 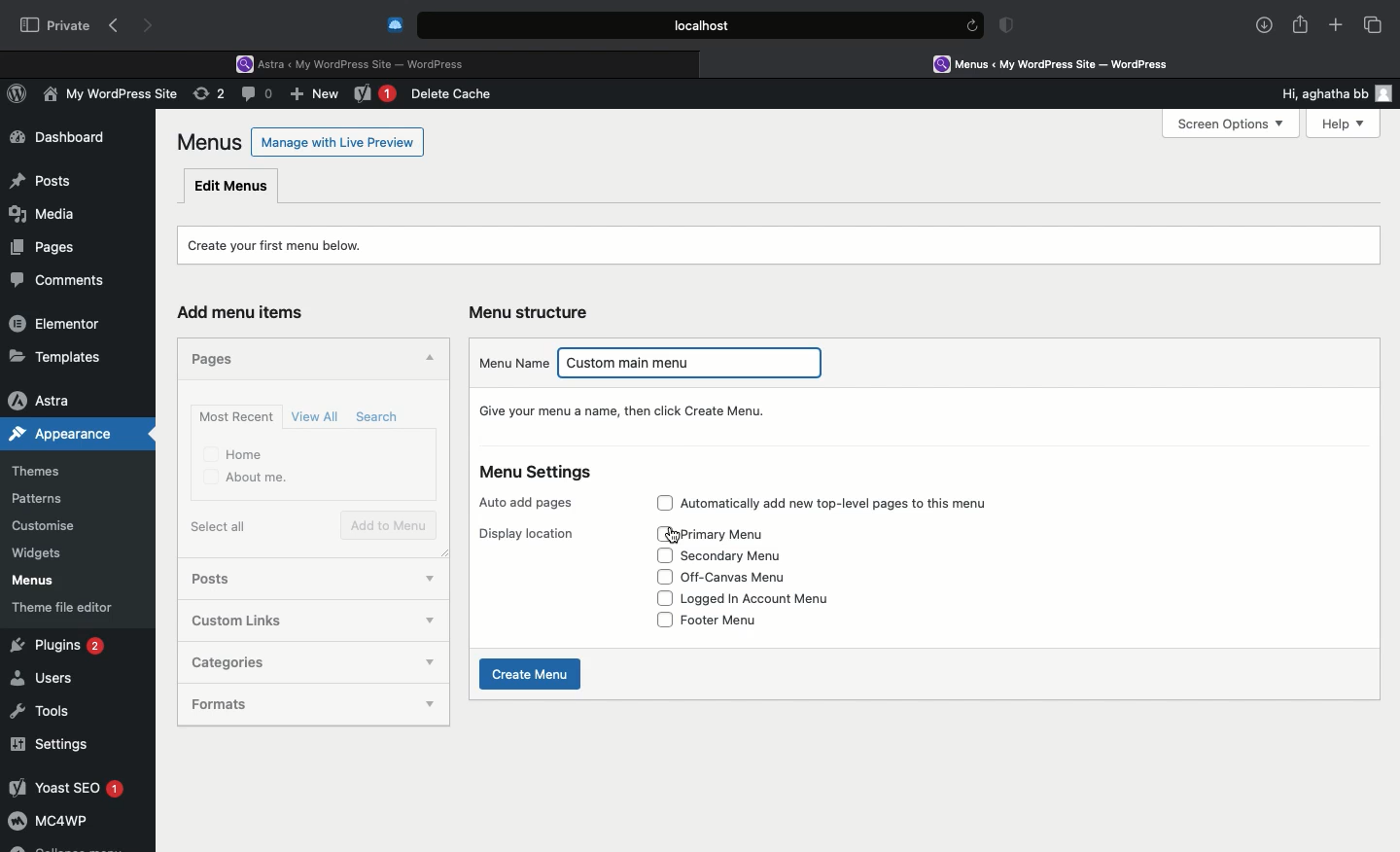 What do you see at coordinates (660, 598) in the screenshot?
I see `Check box` at bounding box center [660, 598].